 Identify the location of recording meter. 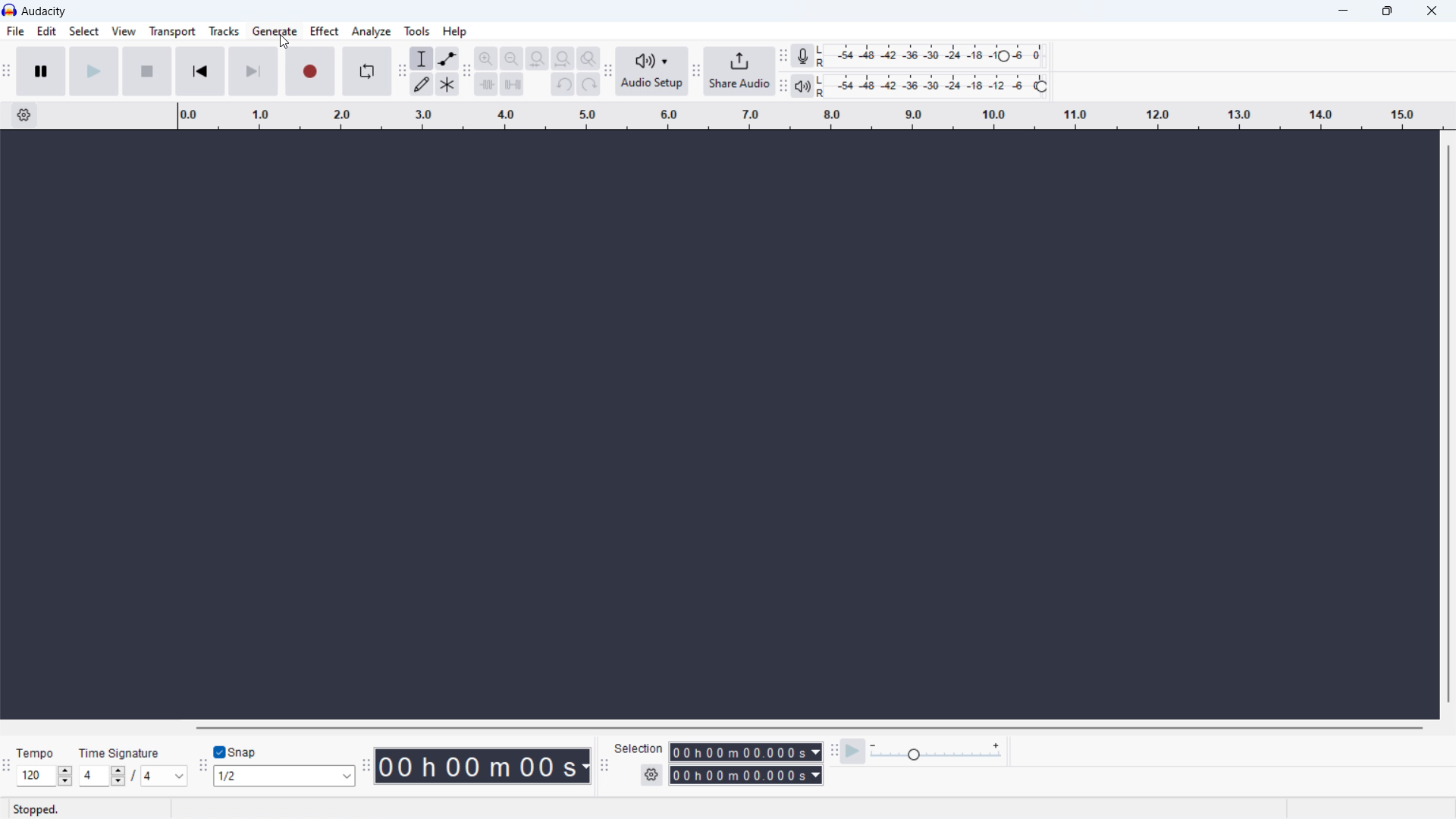
(802, 56).